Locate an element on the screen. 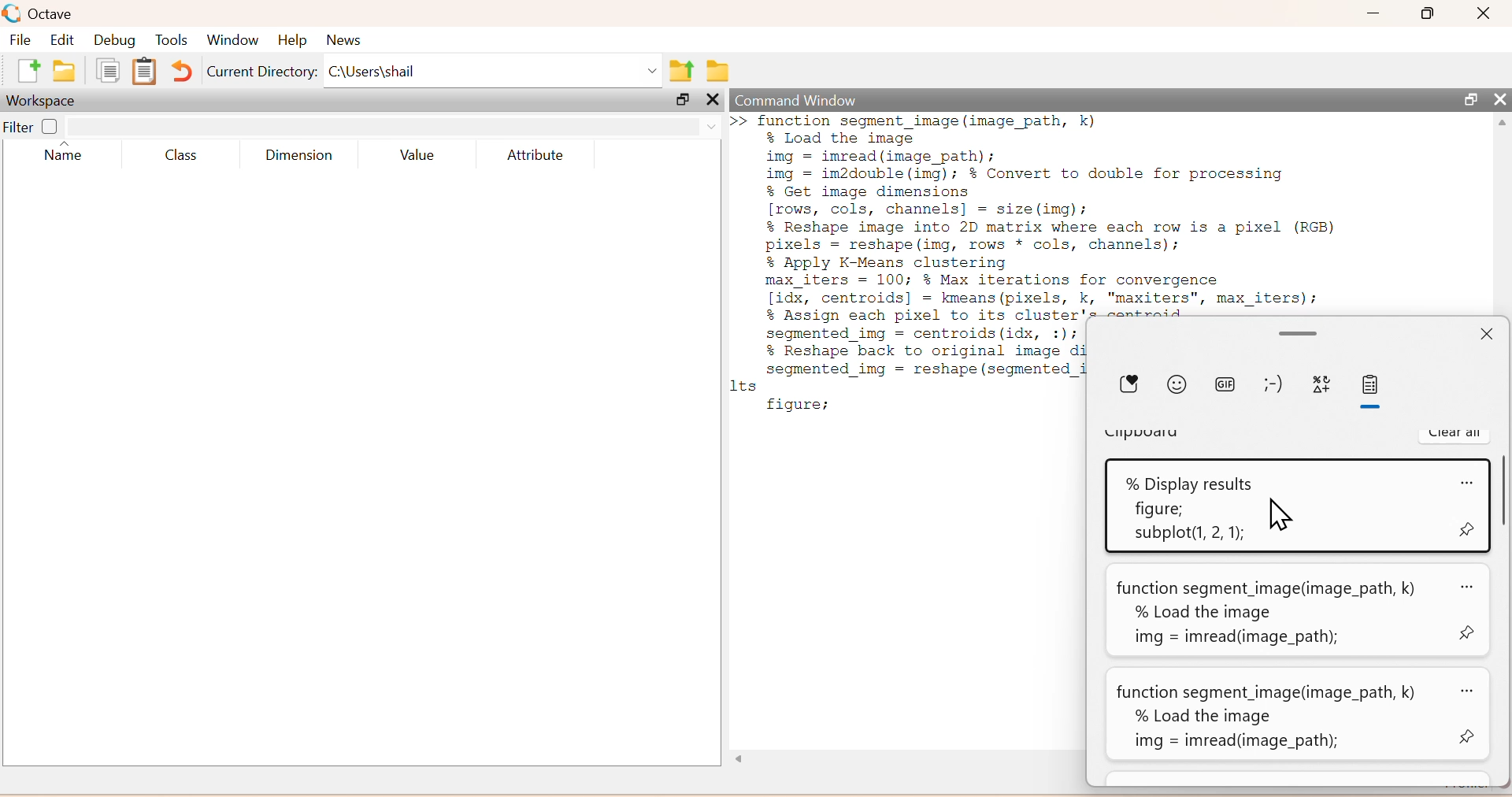 The height and width of the screenshot is (797, 1512). Debug is located at coordinates (113, 42).